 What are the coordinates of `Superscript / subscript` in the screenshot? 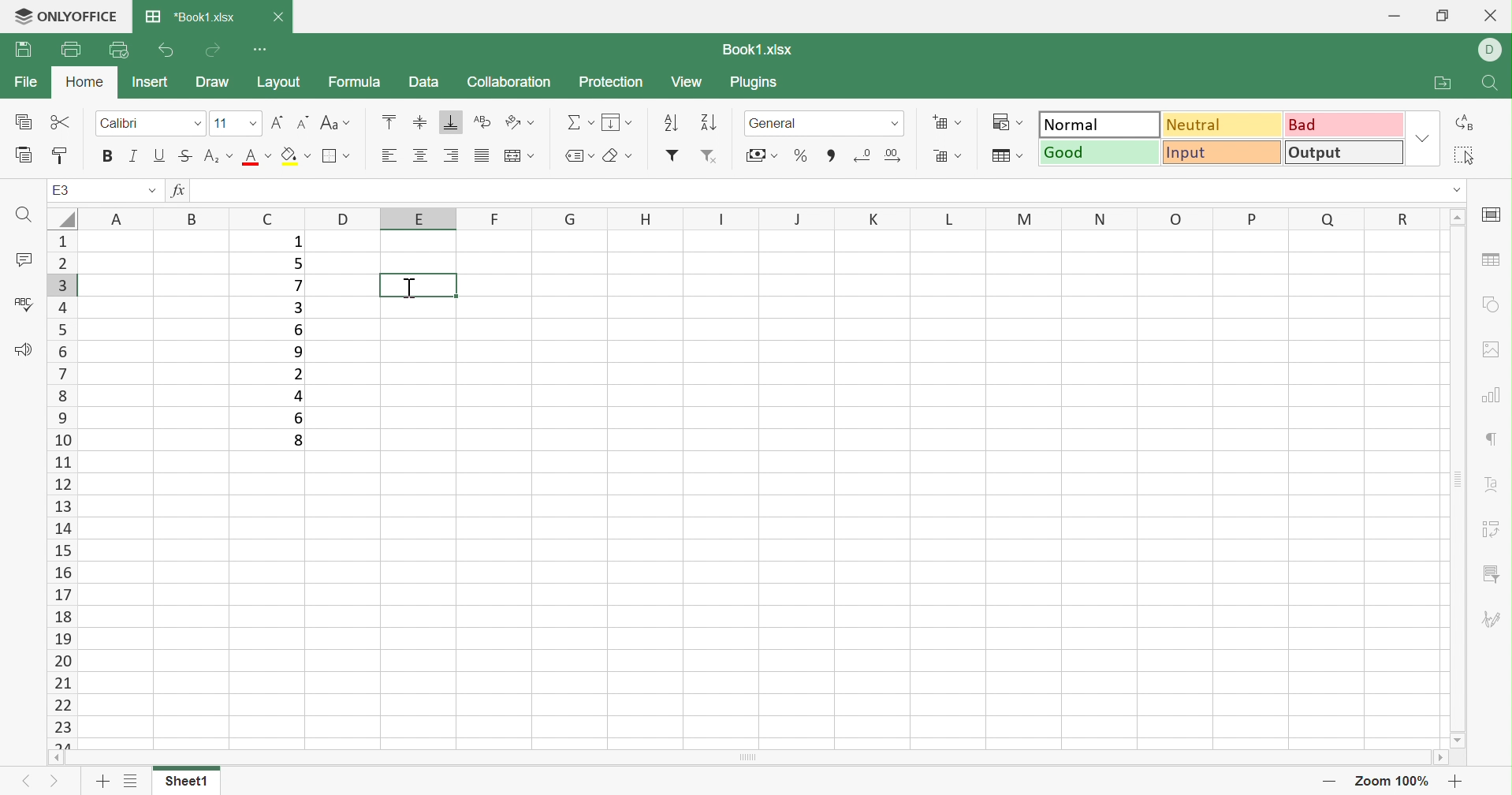 It's located at (221, 155).